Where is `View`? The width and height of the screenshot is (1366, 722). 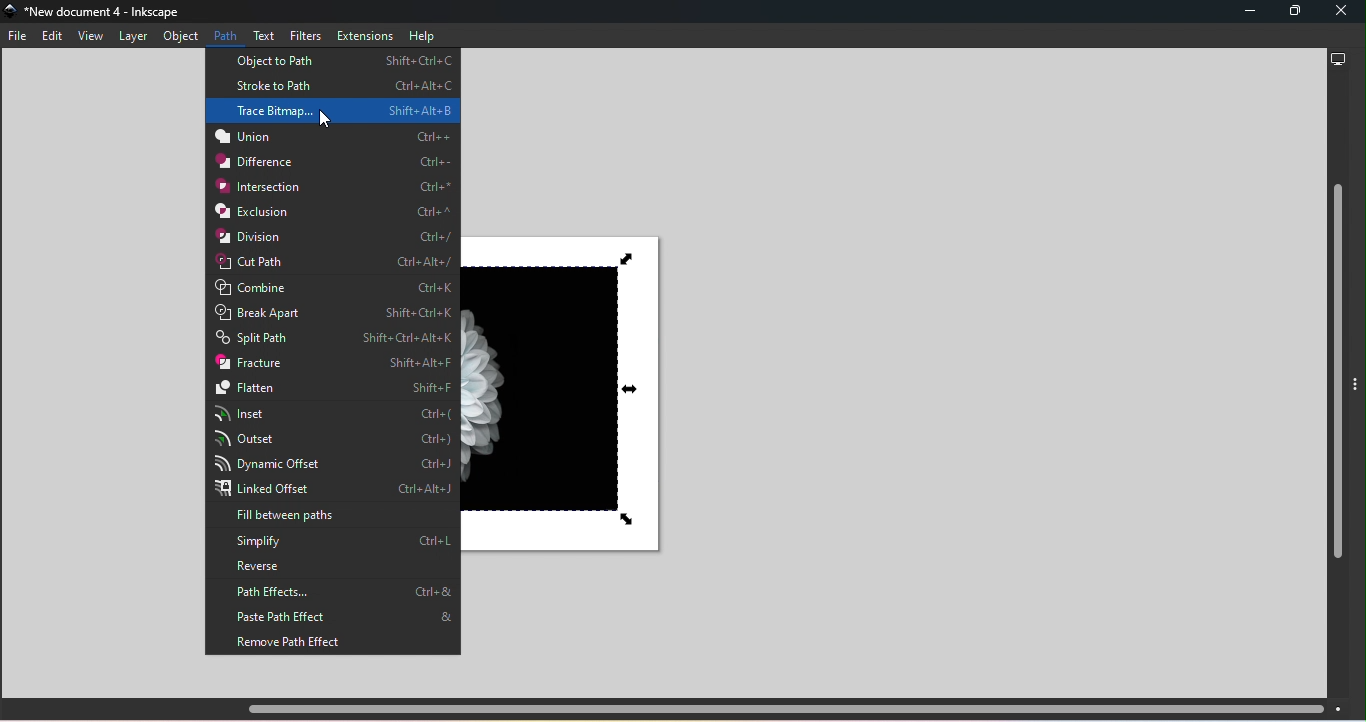 View is located at coordinates (88, 36).